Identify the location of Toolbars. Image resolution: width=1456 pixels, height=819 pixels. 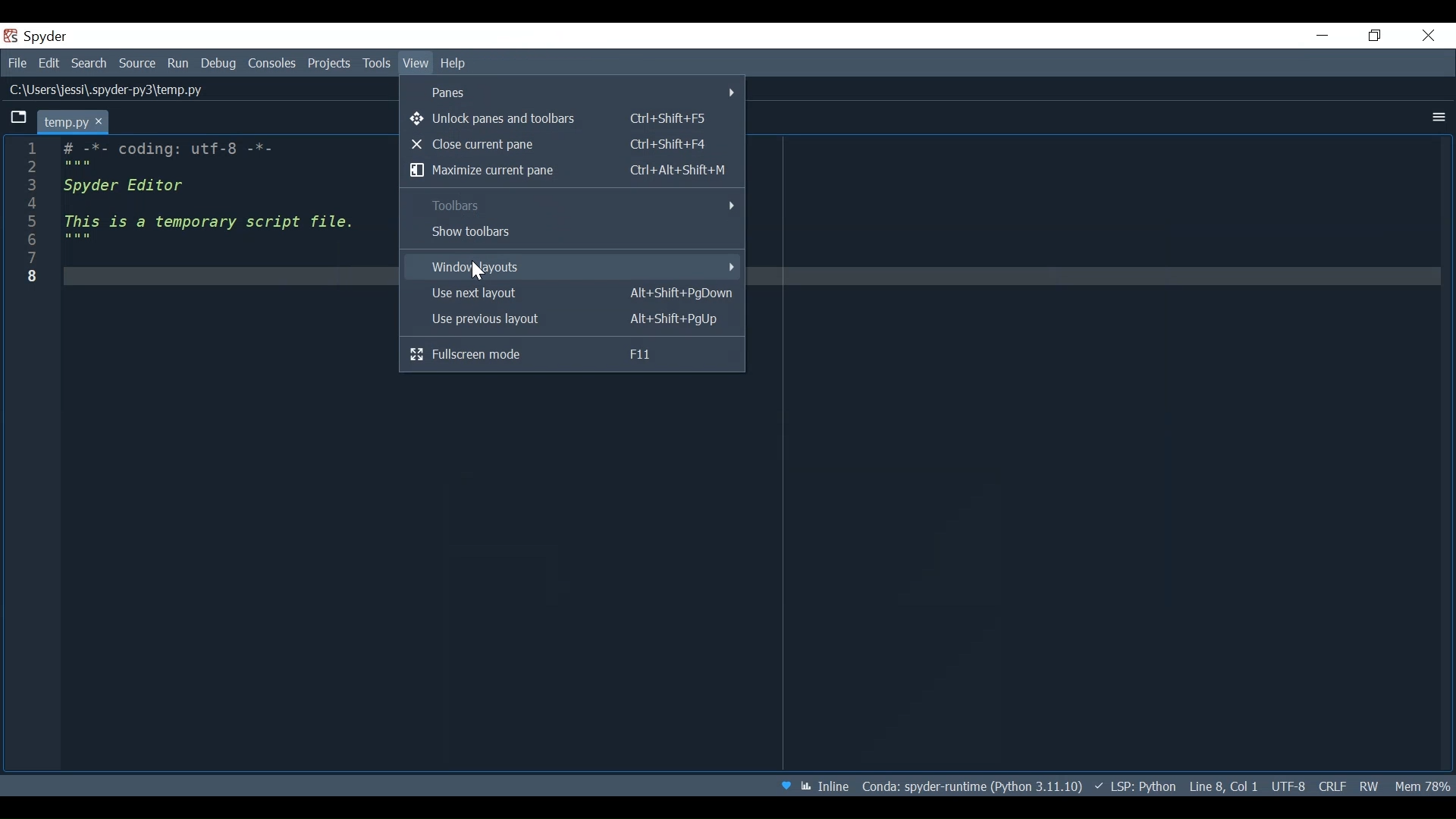
(571, 205).